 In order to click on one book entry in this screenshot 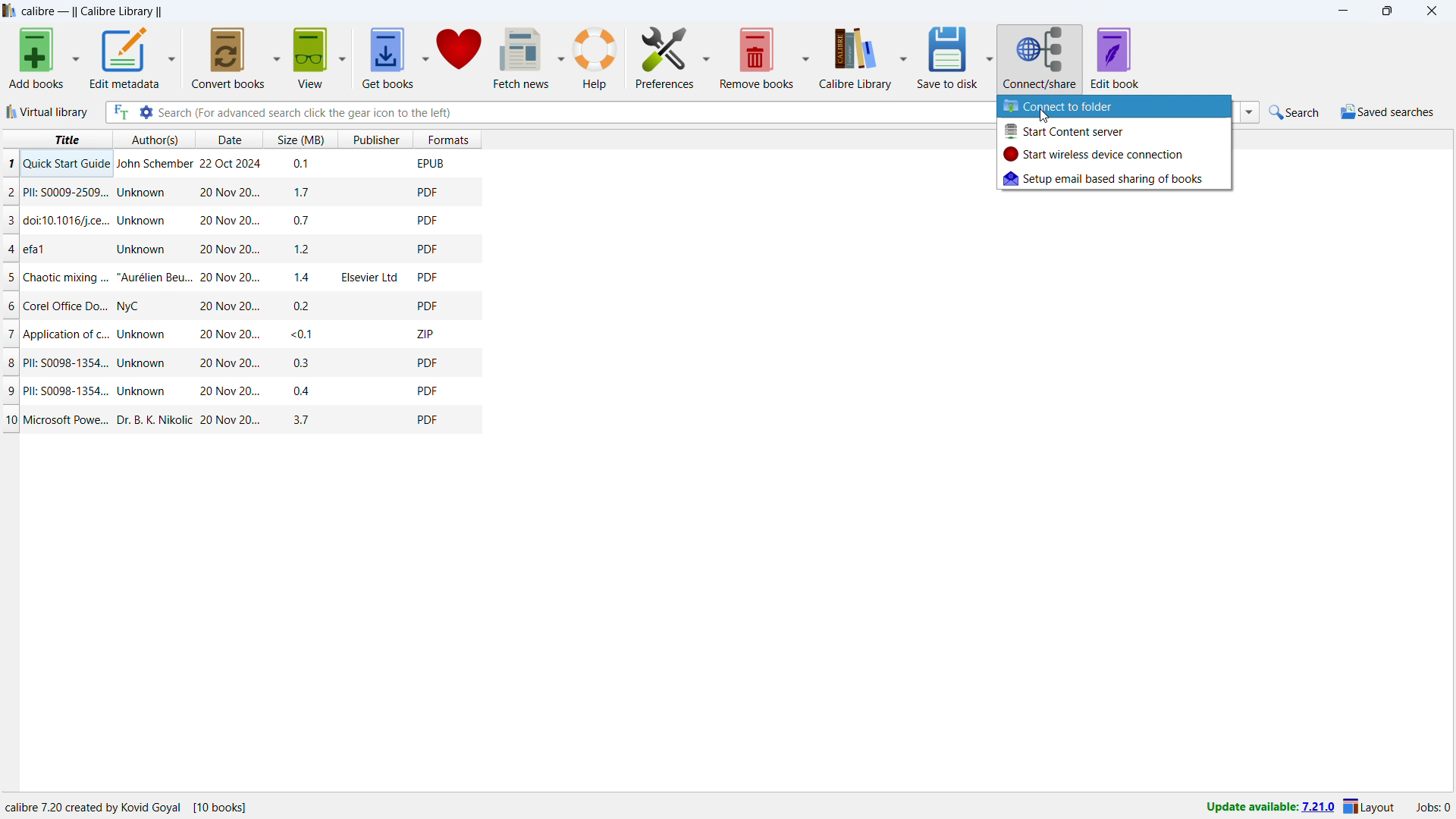, I will do `click(235, 165)`.